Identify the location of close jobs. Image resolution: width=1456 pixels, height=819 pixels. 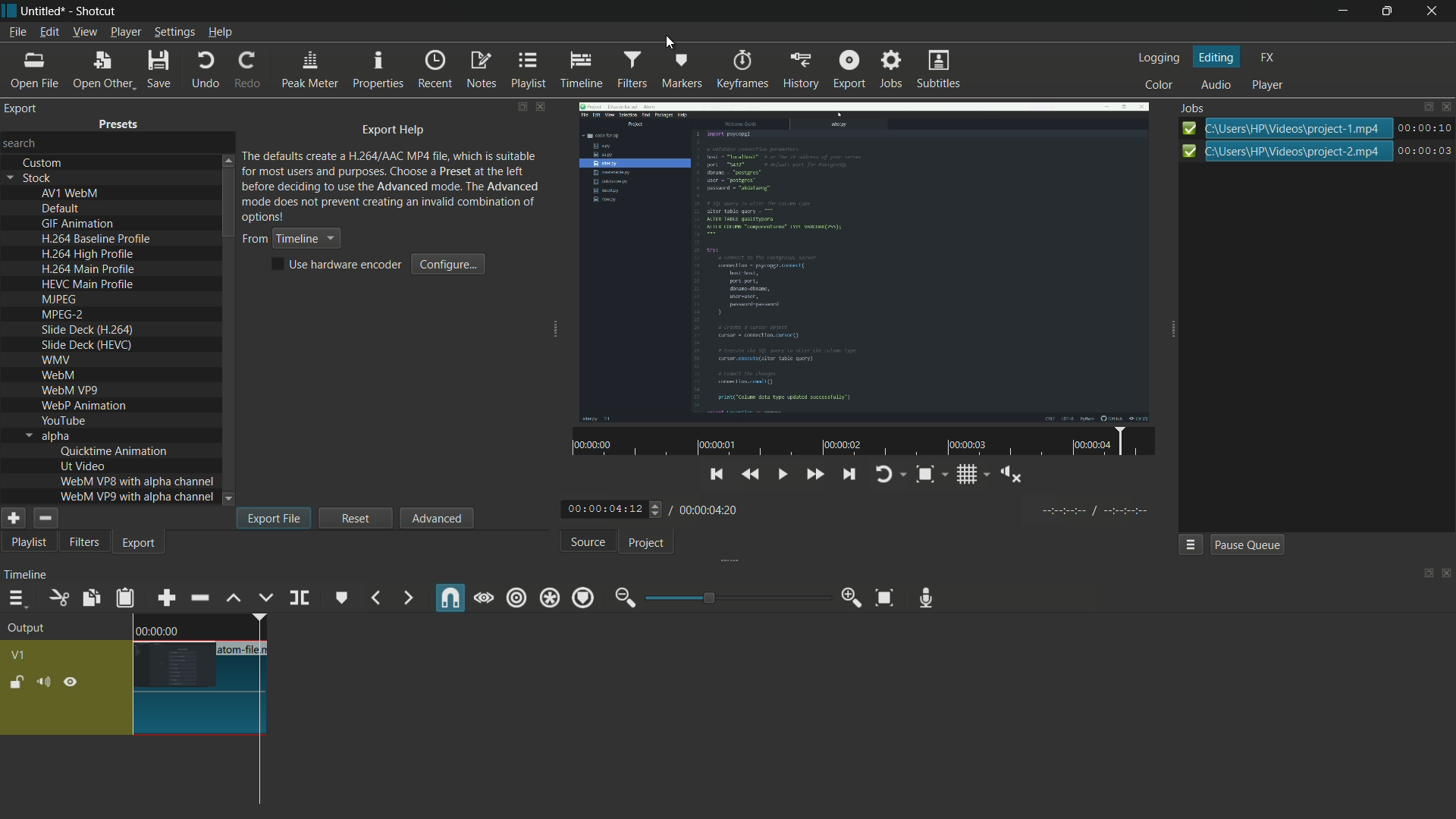
(1448, 107).